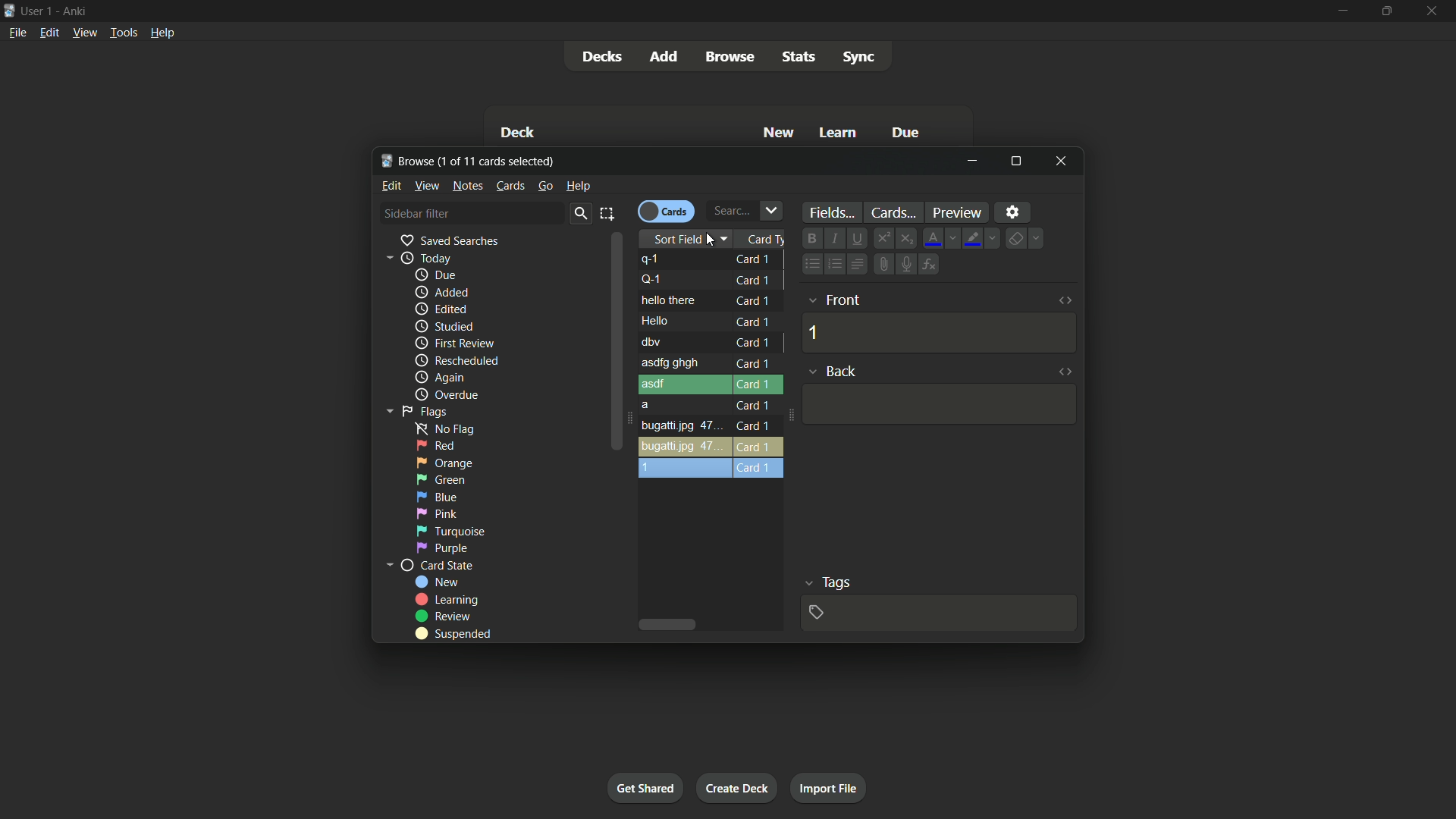 Image resolution: width=1456 pixels, height=819 pixels. What do you see at coordinates (929, 265) in the screenshot?
I see `equations` at bounding box center [929, 265].